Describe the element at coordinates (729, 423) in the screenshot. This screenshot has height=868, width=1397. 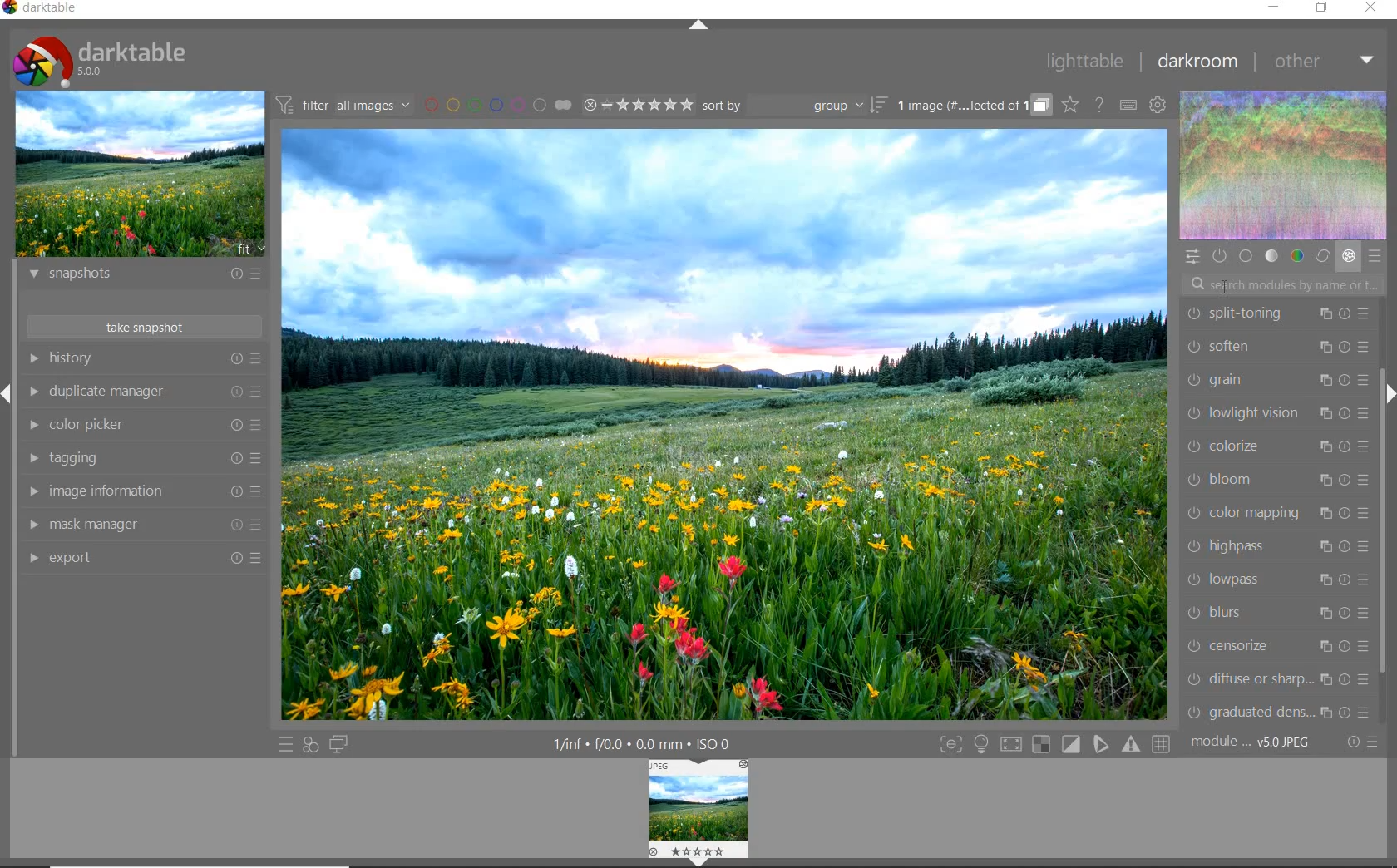
I see `selected image` at that location.